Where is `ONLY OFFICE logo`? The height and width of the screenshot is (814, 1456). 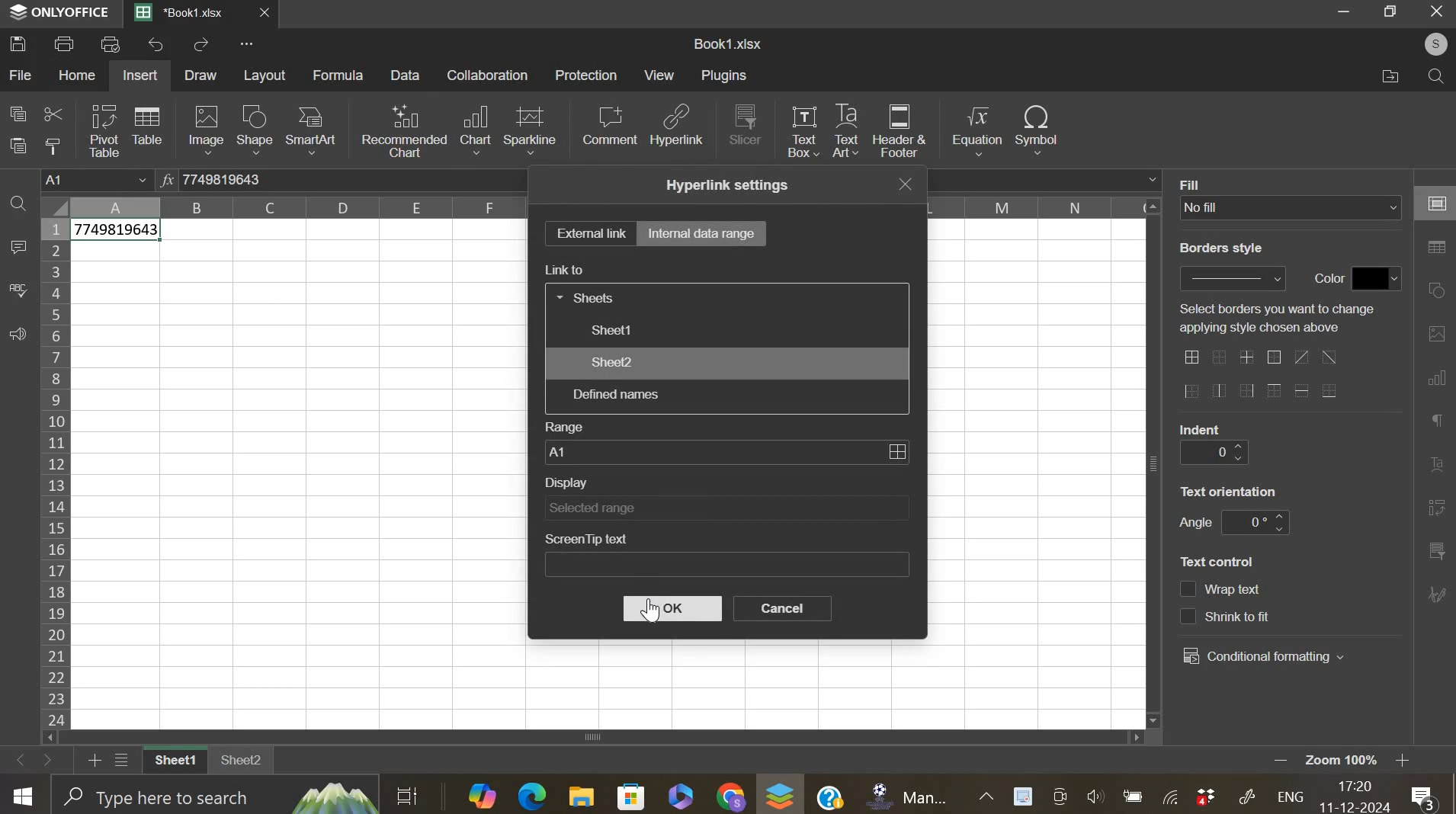
ONLY OFFICE logo is located at coordinates (60, 11).